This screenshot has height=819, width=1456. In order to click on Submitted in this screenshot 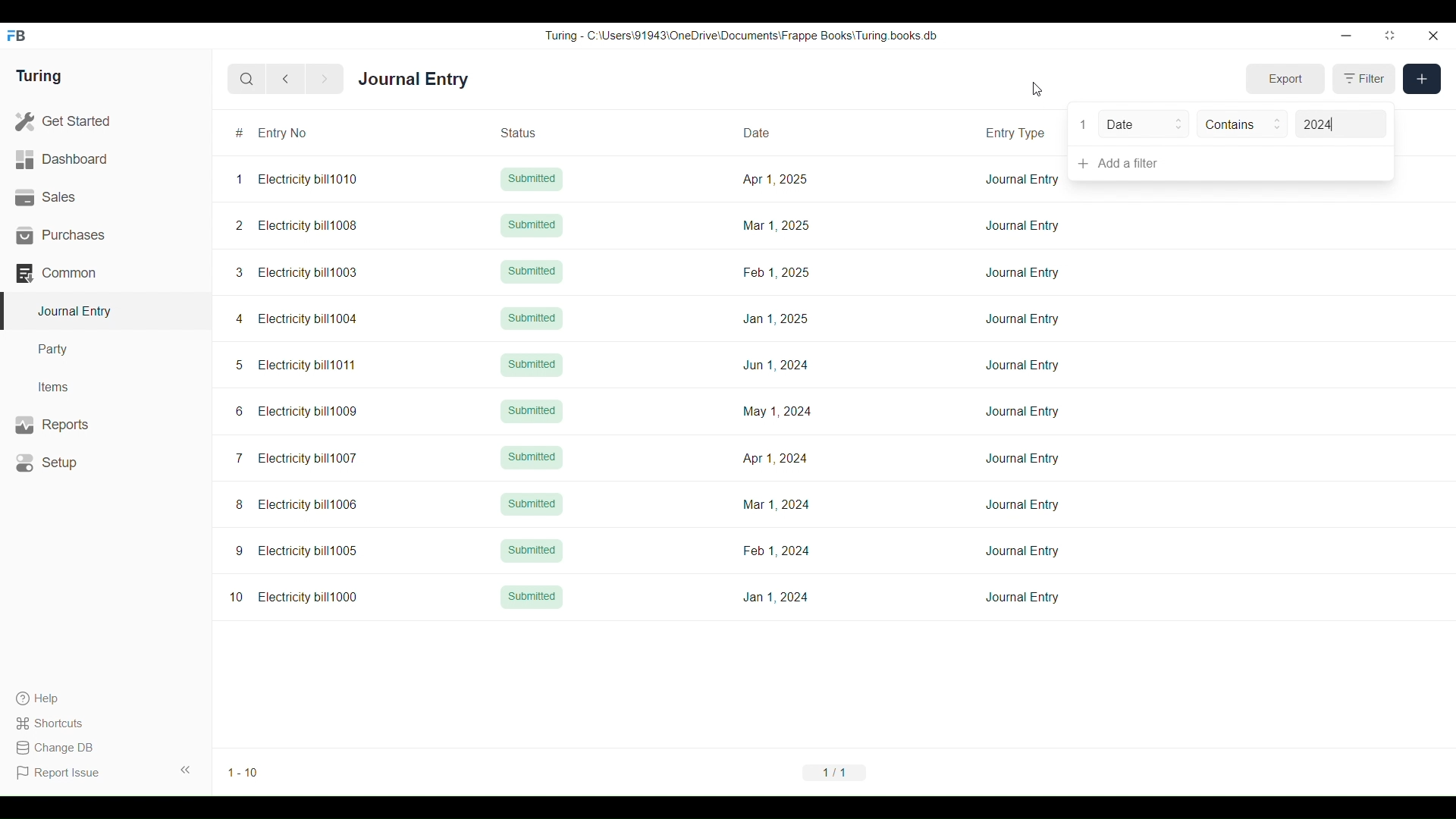, I will do `click(532, 272)`.